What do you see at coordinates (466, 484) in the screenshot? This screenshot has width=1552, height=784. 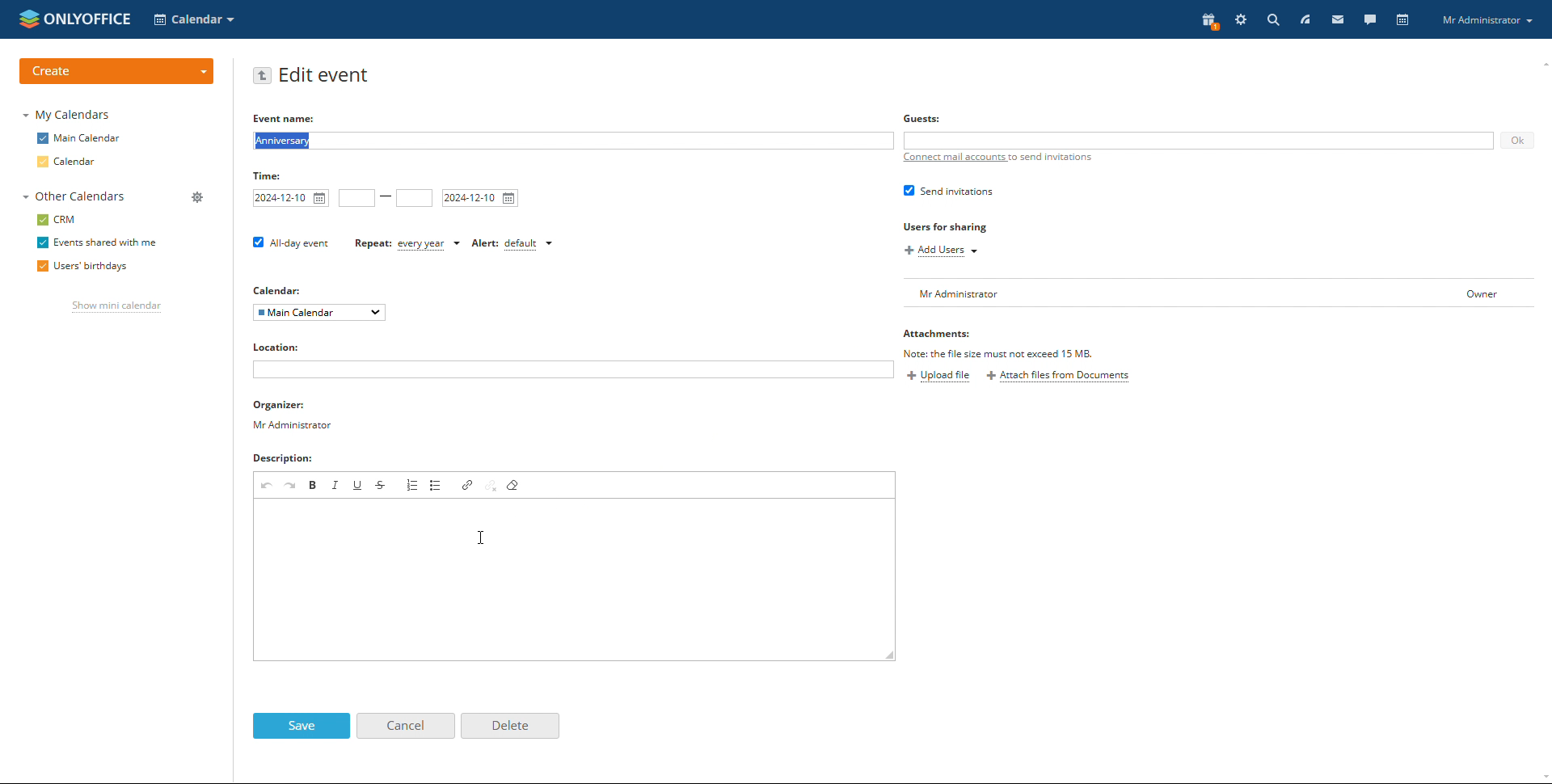 I see `link` at bounding box center [466, 484].